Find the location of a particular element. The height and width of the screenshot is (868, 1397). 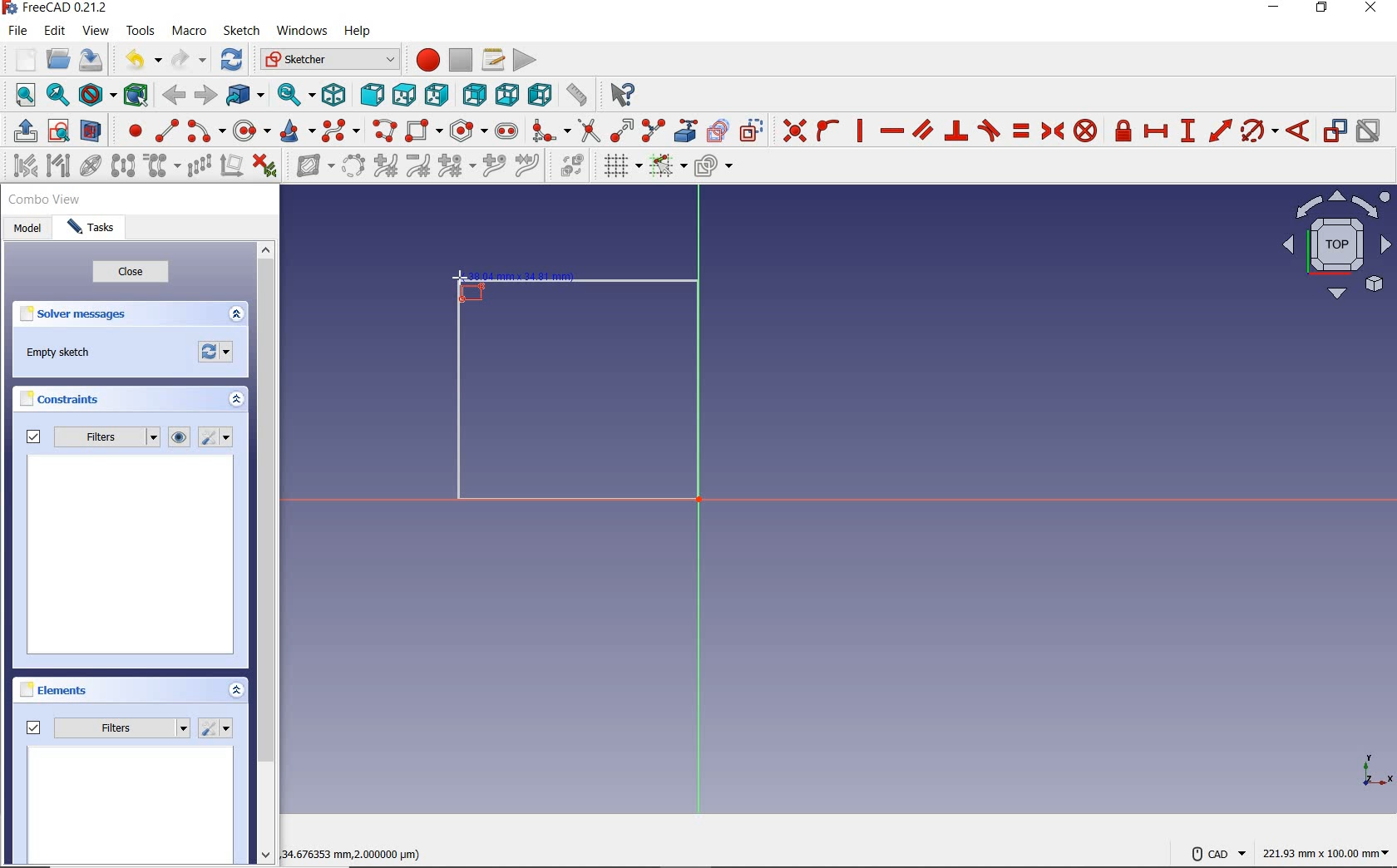

remove axes alignment is located at coordinates (231, 167).